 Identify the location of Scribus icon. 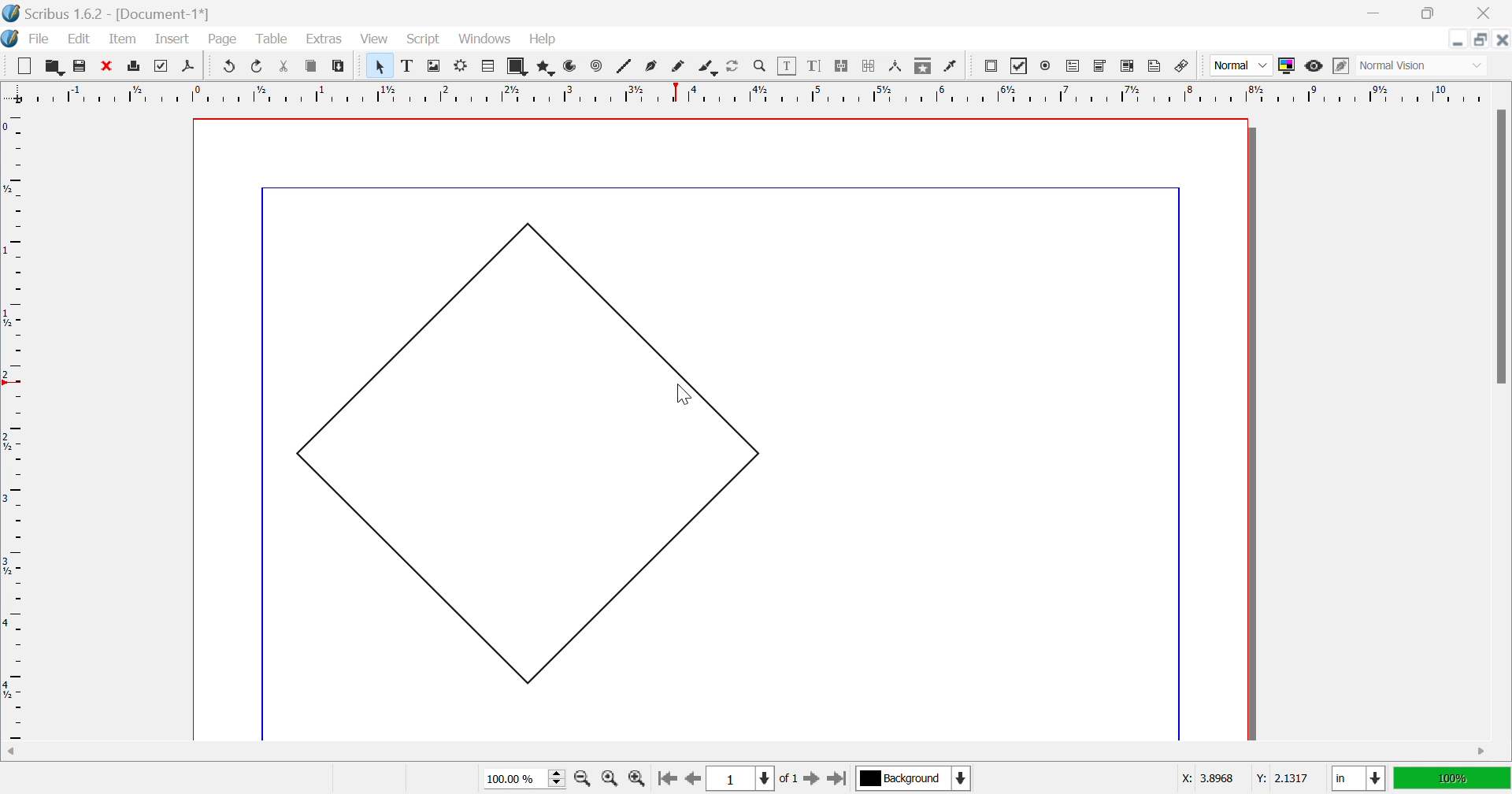
(9, 39).